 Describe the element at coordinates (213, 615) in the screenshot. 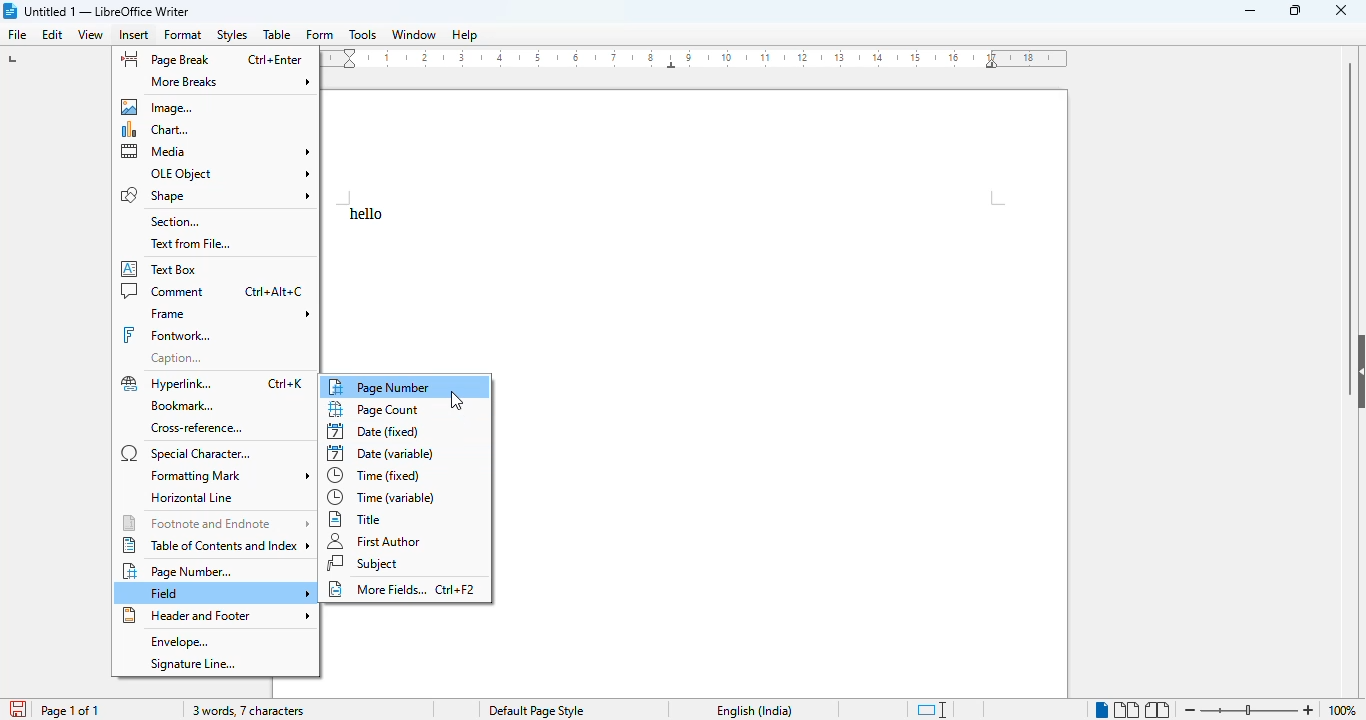

I see `header and footer` at that location.